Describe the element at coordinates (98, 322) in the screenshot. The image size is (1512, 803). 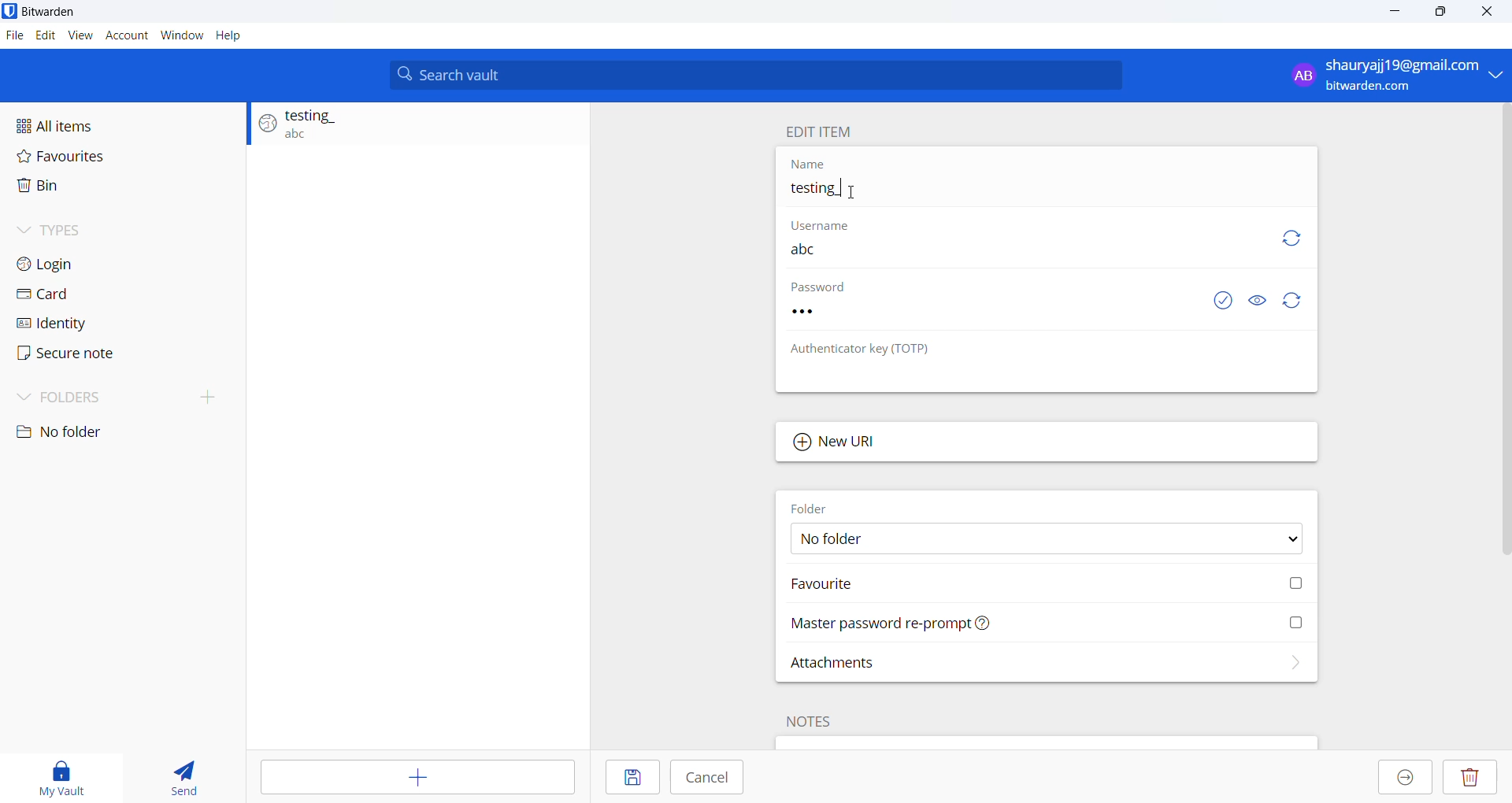
I see `Identity` at that location.